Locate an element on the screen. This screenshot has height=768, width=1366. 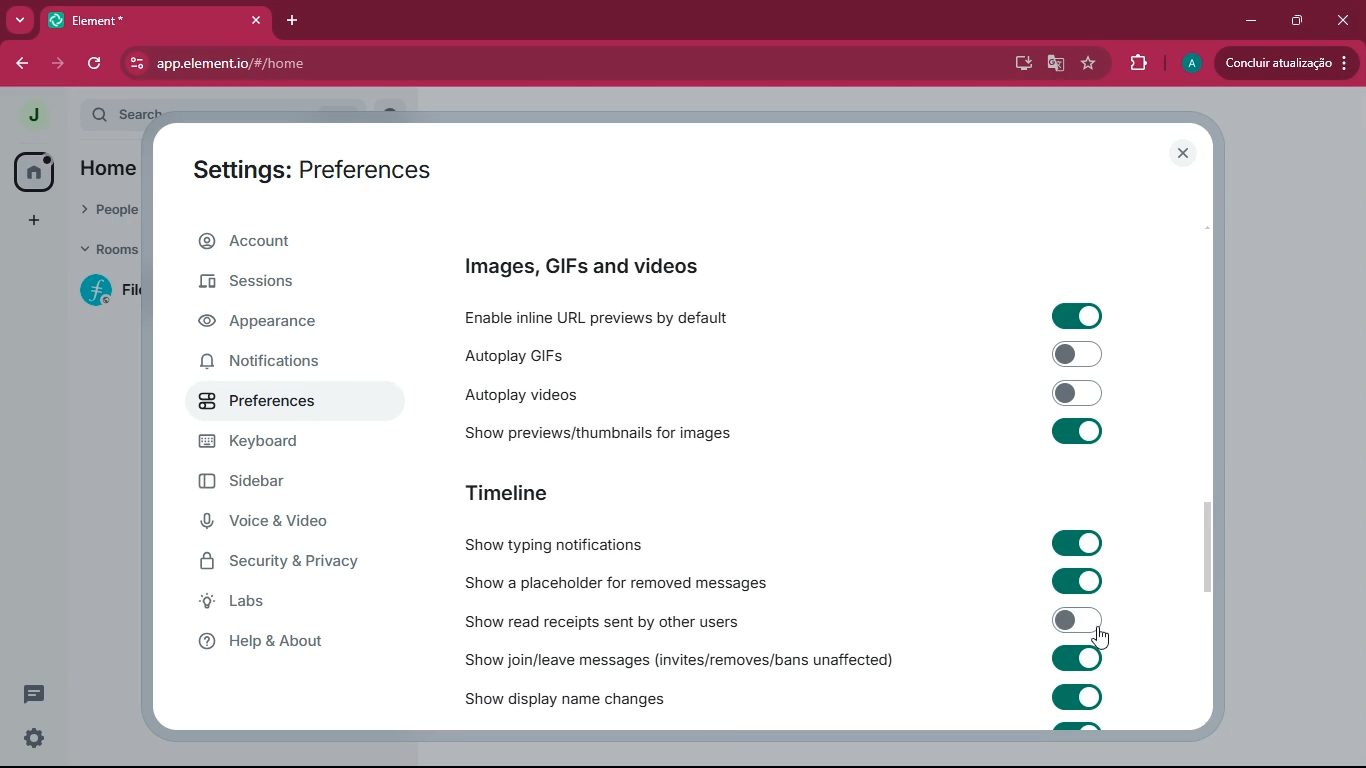
security & privacy is located at coordinates (292, 559).